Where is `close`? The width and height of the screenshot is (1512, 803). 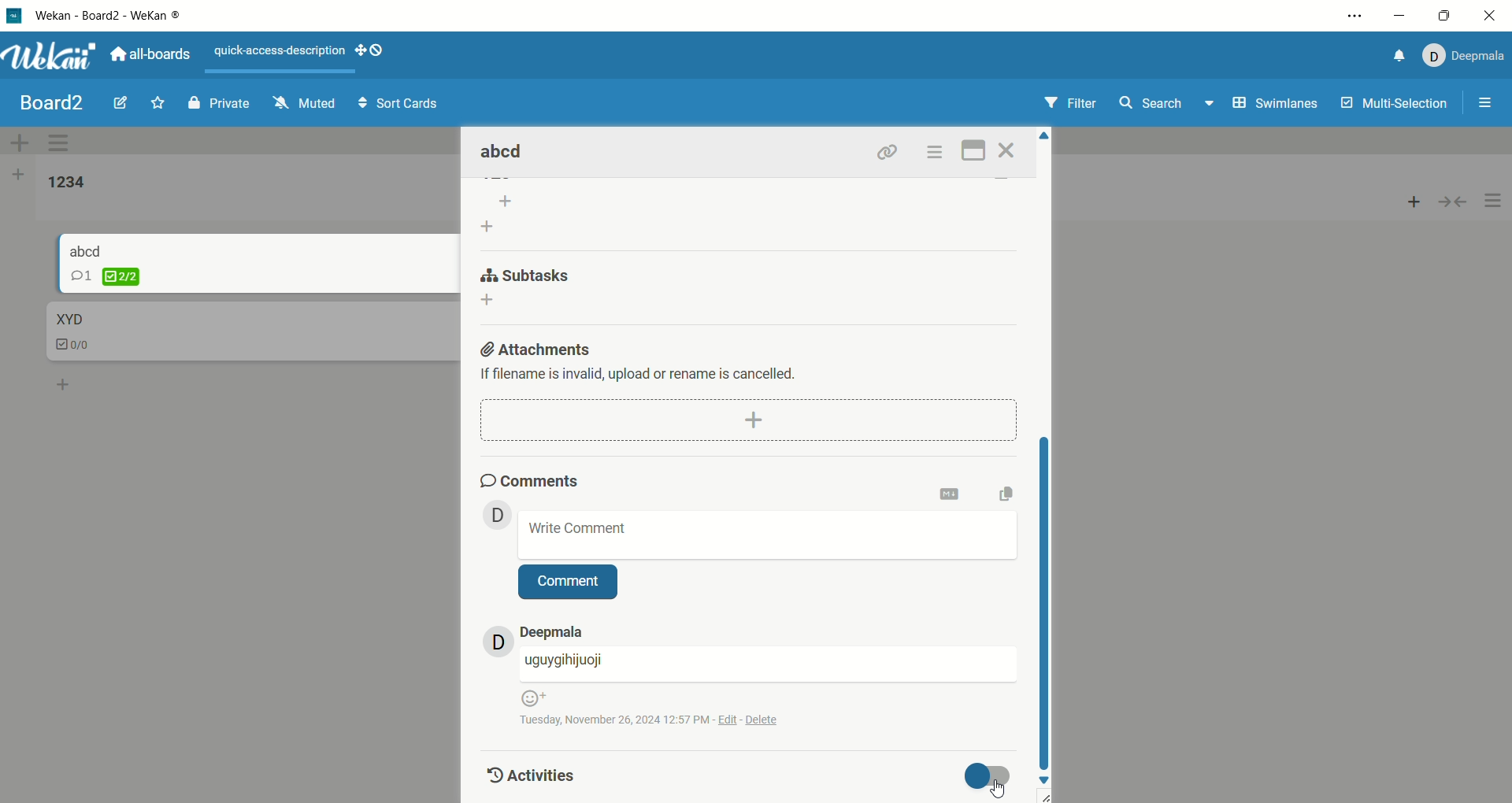 close is located at coordinates (1010, 150).